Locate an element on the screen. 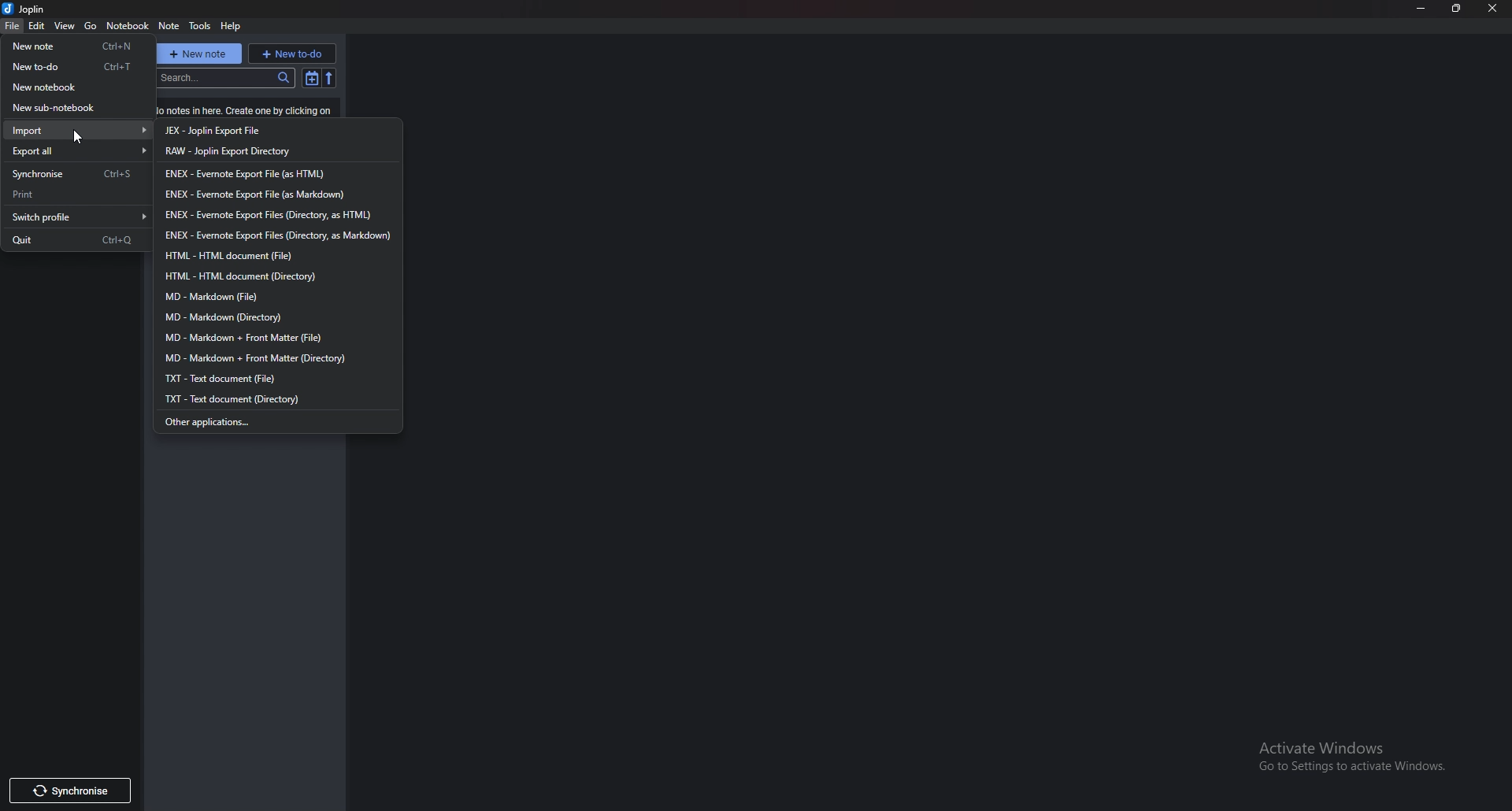 This screenshot has height=811, width=1512. new to do is located at coordinates (292, 54).